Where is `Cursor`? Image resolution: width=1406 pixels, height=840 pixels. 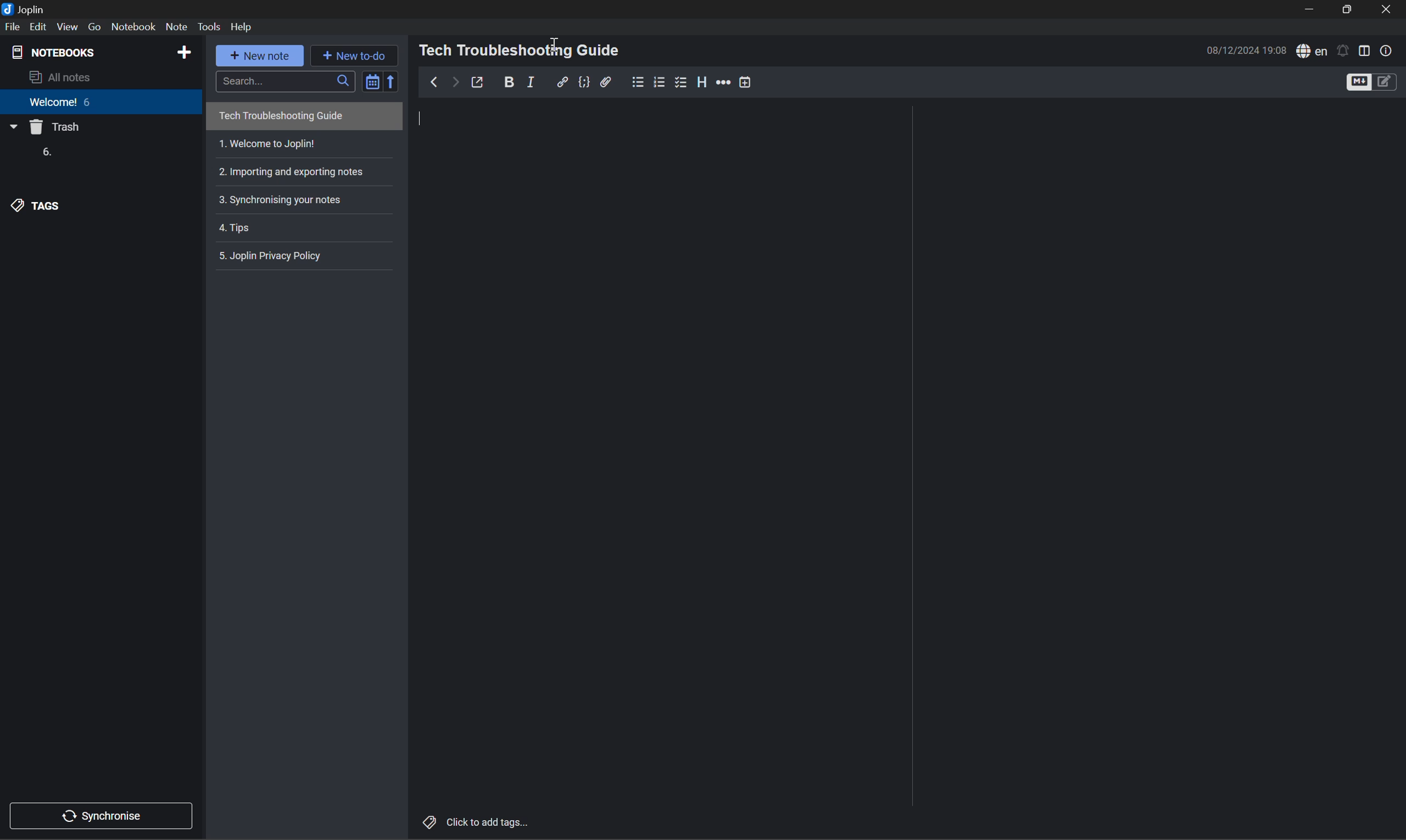 Cursor is located at coordinates (554, 48).